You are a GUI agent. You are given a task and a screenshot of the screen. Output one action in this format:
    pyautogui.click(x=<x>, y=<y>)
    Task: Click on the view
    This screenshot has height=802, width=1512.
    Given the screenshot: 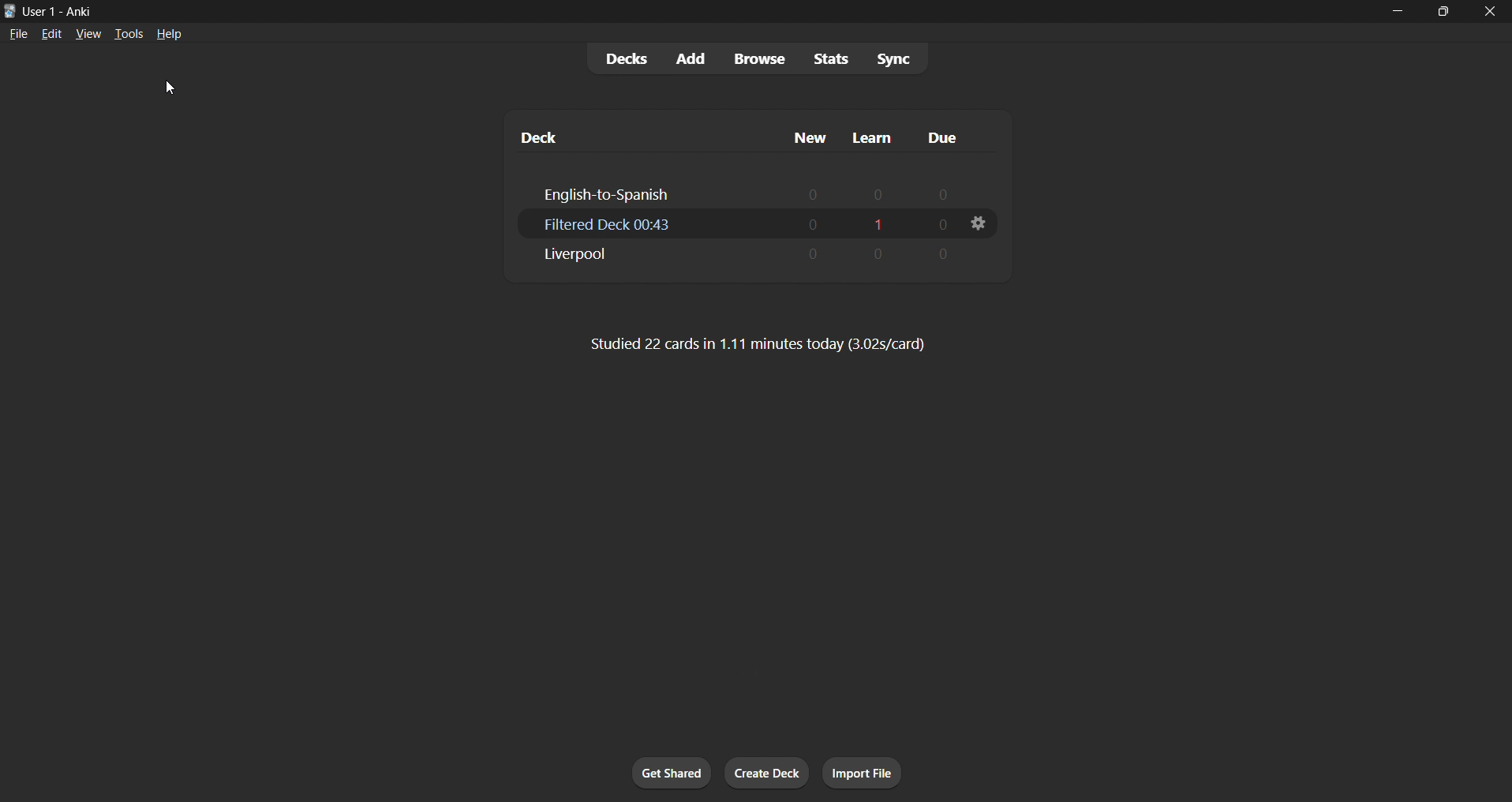 What is the action you would take?
    pyautogui.click(x=87, y=36)
    